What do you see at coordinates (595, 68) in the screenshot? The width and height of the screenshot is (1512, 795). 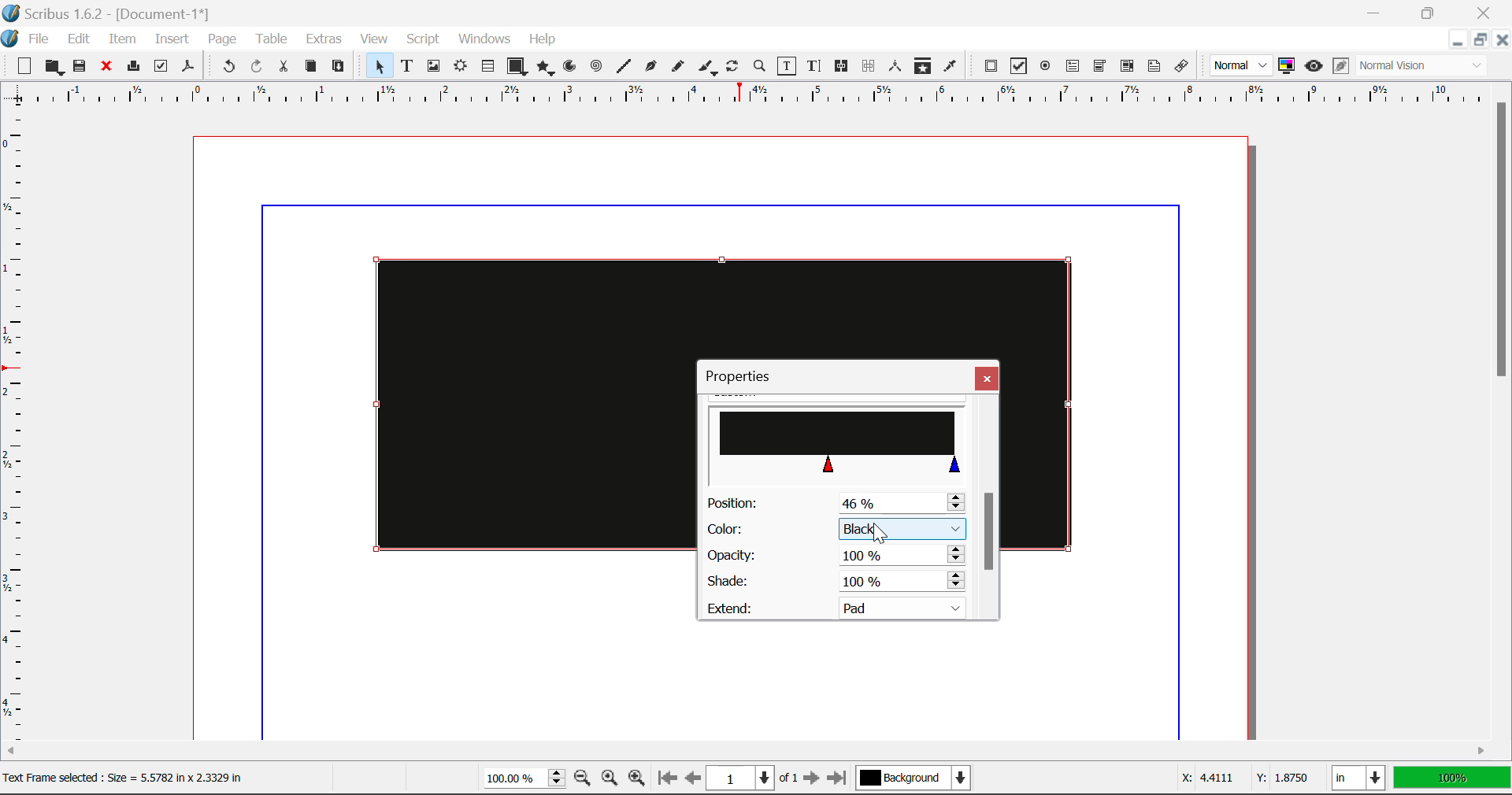 I see `Spirals` at bounding box center [595, 68].